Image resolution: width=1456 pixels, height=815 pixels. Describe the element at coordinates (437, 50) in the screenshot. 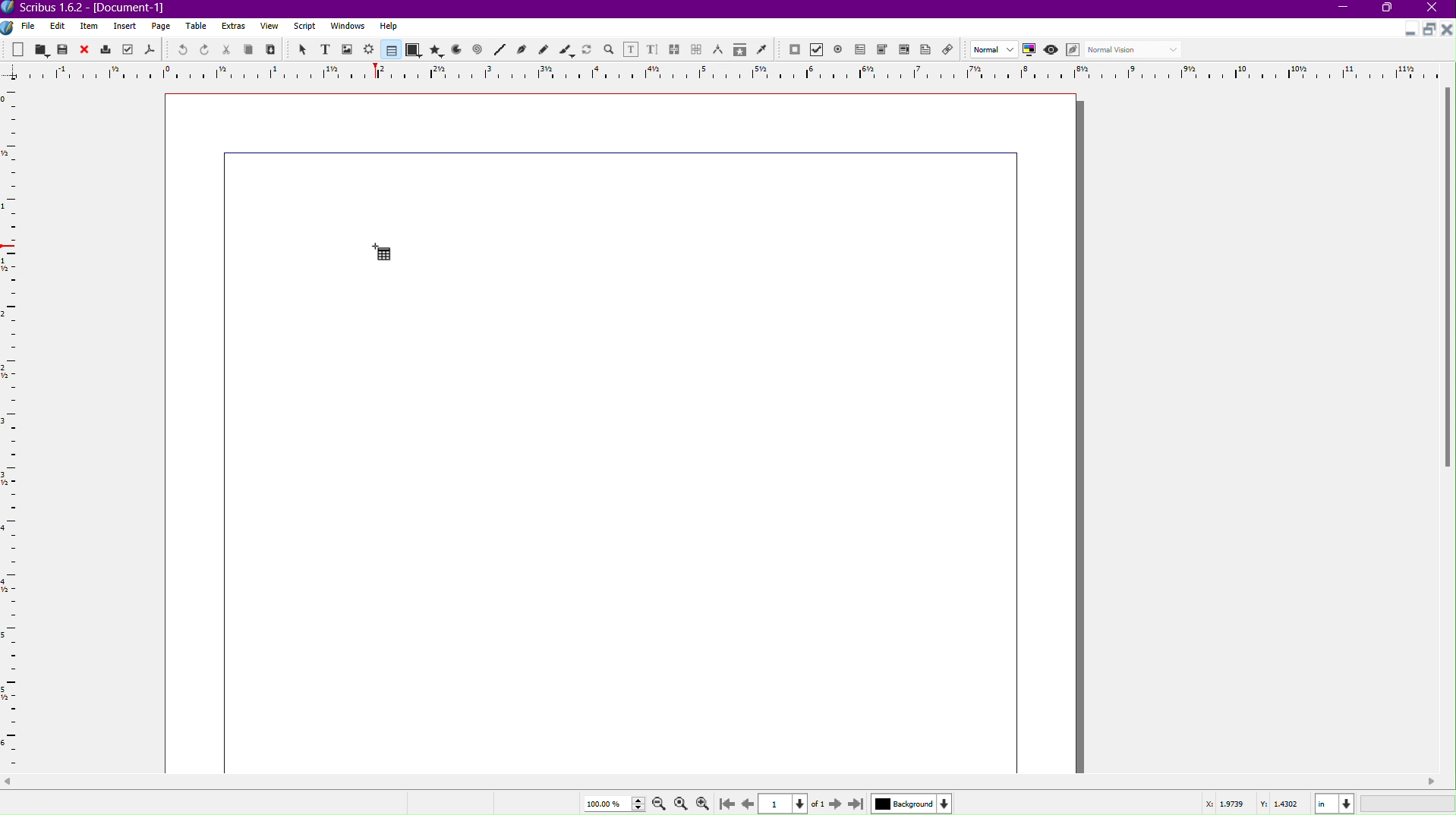

I see `Polygon` at that location.